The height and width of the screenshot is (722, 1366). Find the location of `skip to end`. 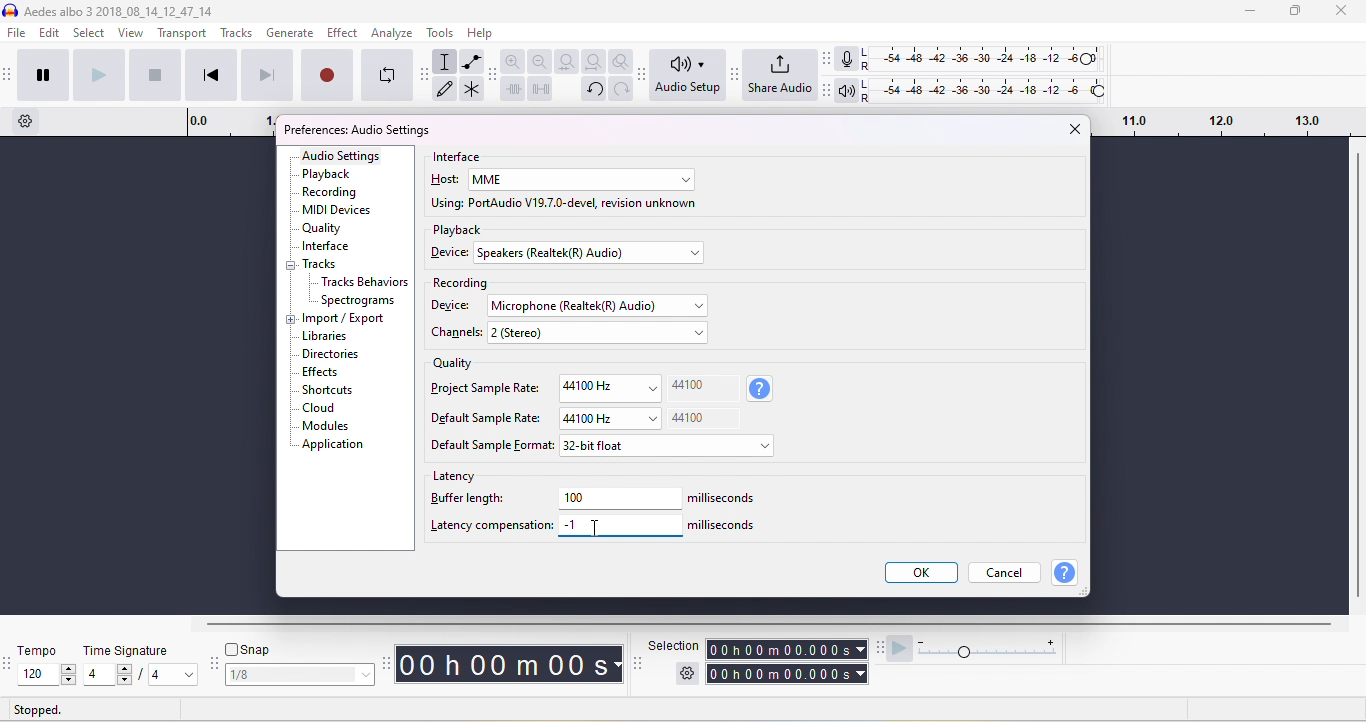

skip to end is located at coordinates (266, 74).